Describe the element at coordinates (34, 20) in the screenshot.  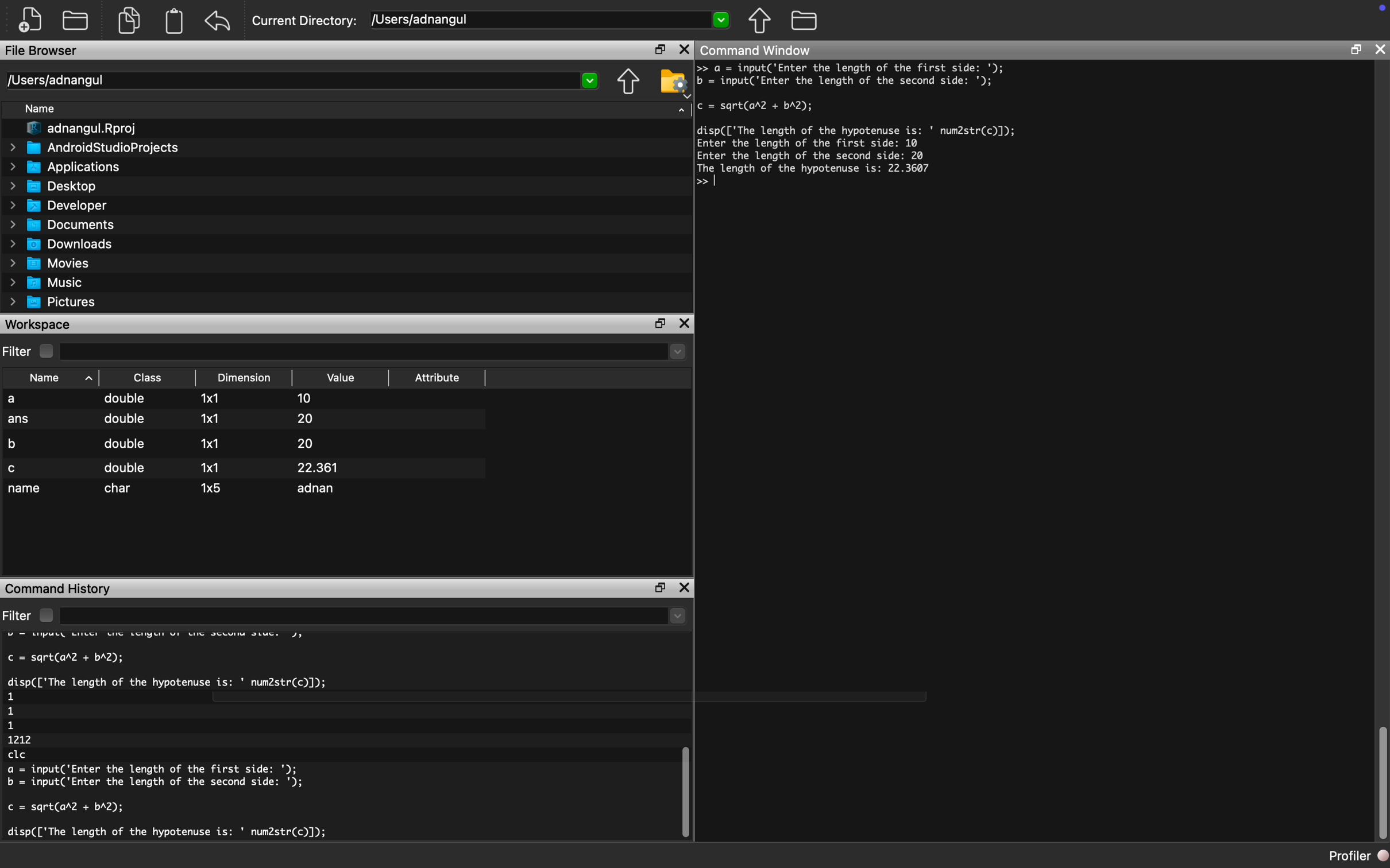
I see `create new` at that location.